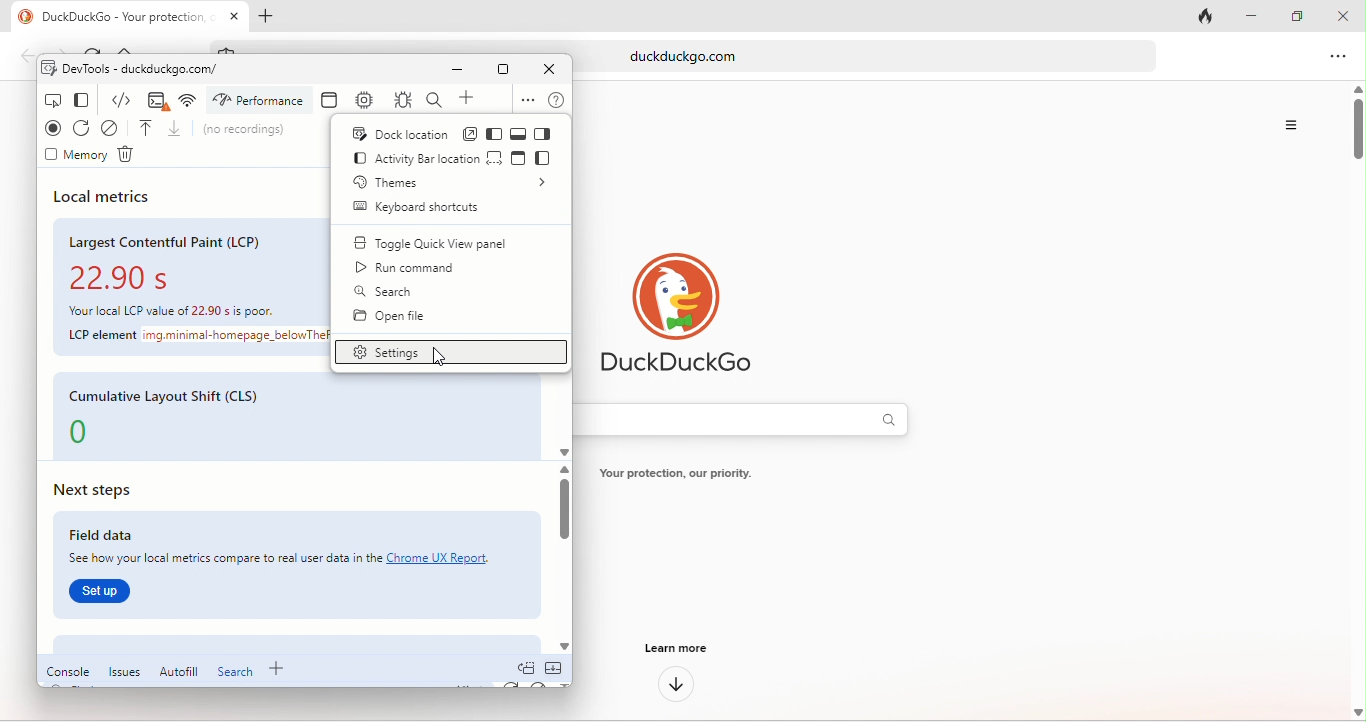  Describe the element at coordinates (677, 685) in the screenshot. I see `down arrow` at that location.